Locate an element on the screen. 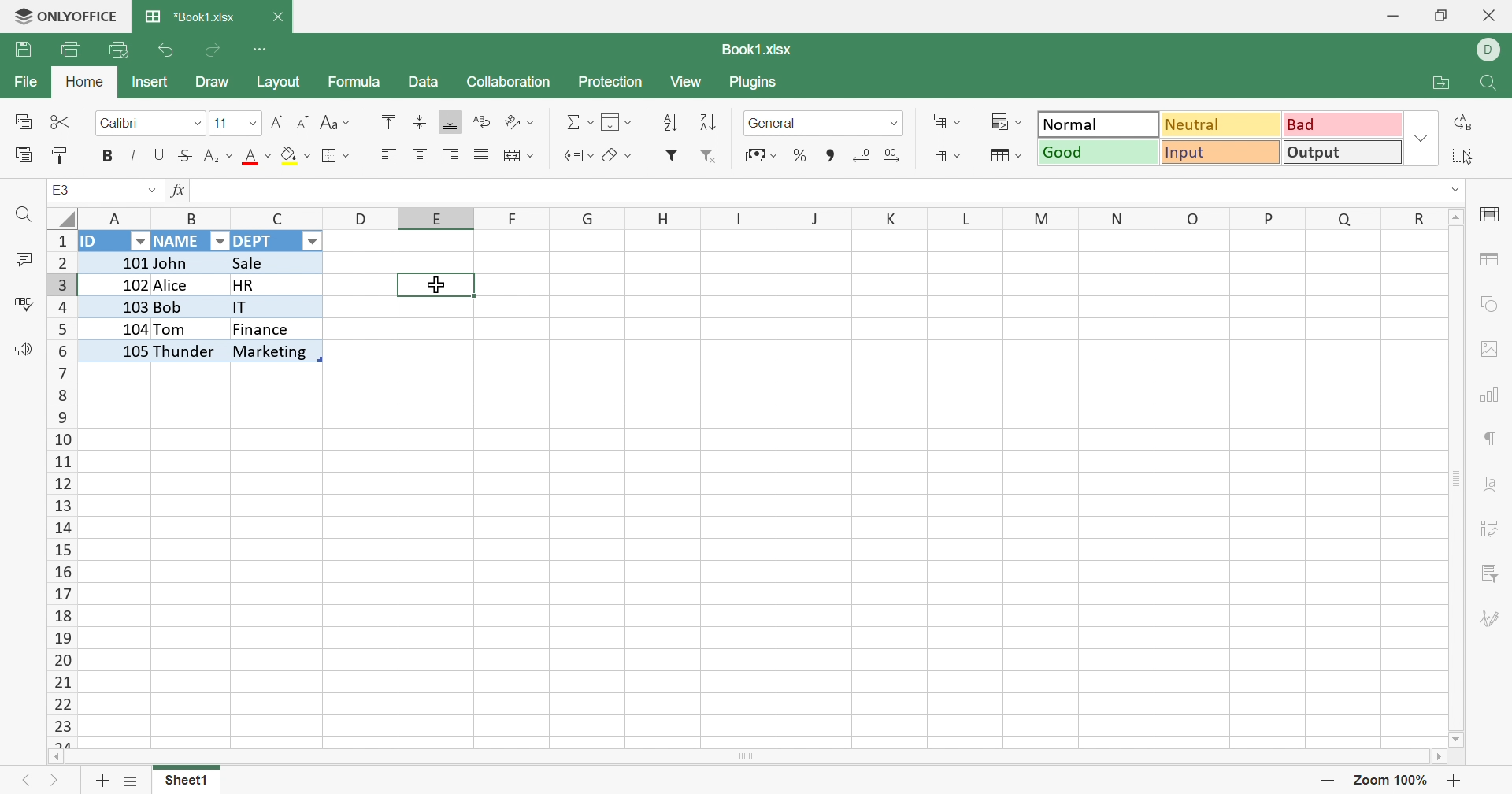 This screenshot has height=794, width=1512. Scroll Bar is located at coordinates (749, 756).